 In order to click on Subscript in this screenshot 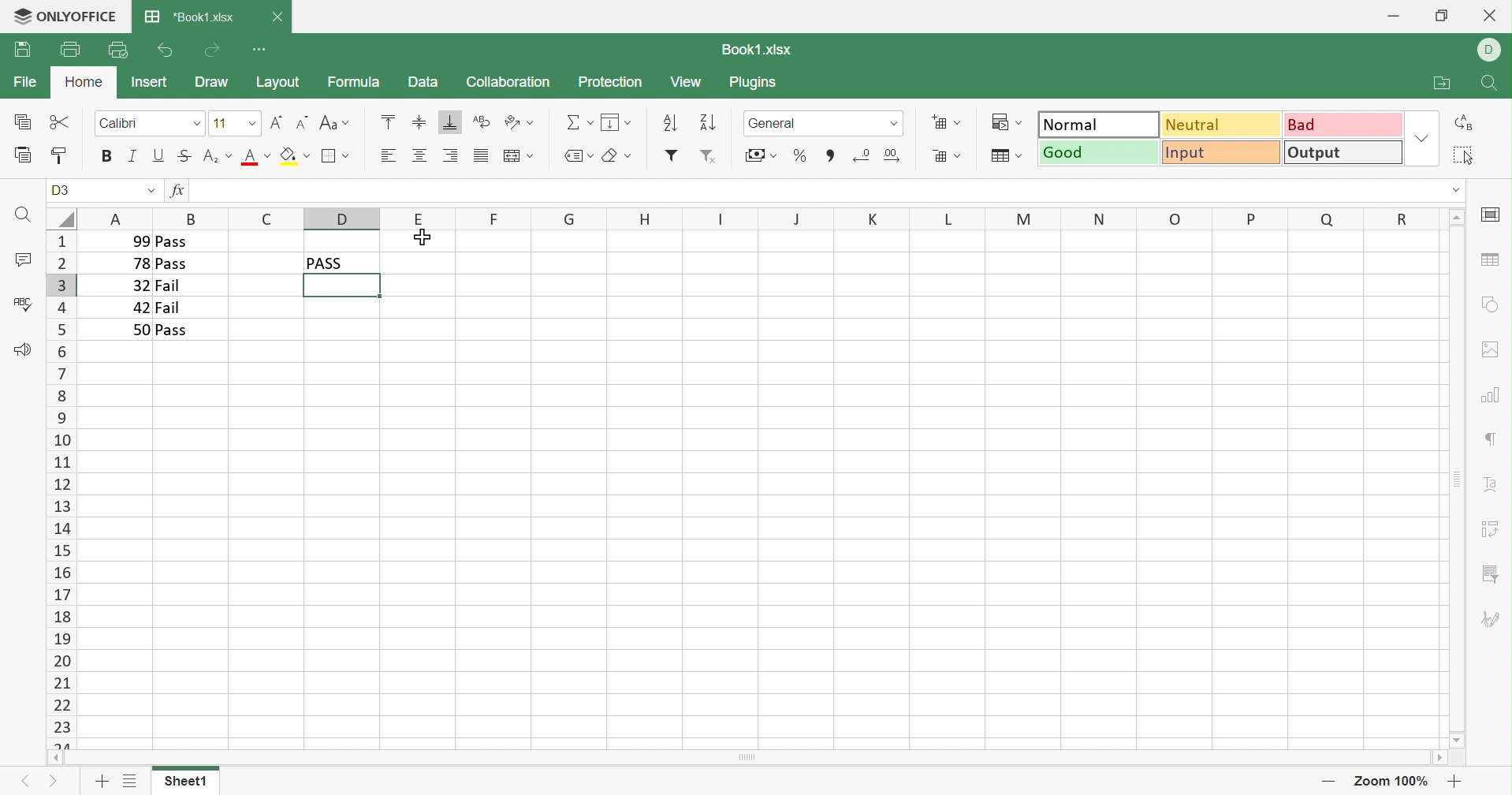, I will do `click(217, 159)`.